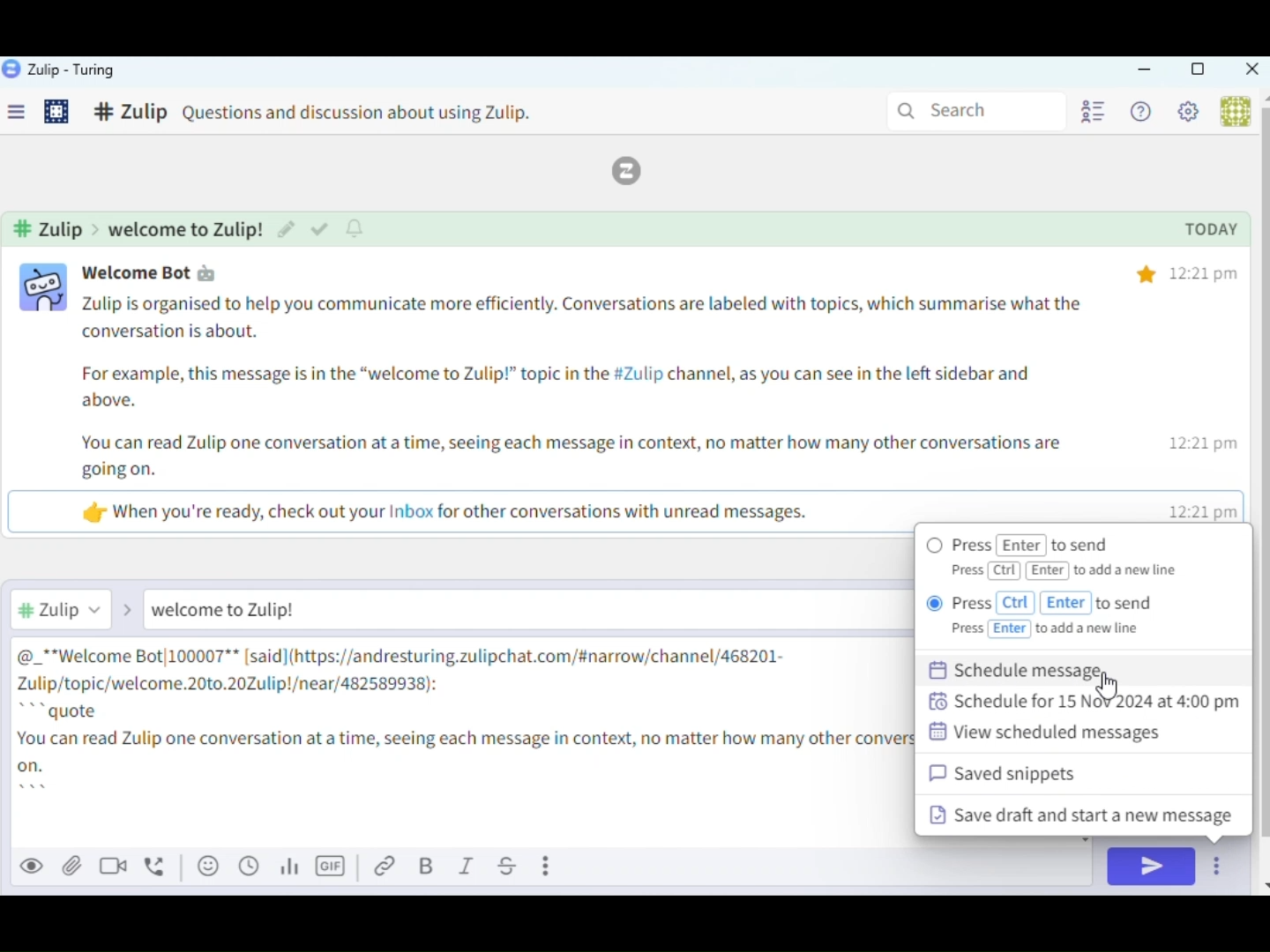  Describe the element at coordinates (1251, 71) in the screenshot. I see `Close` at that location.